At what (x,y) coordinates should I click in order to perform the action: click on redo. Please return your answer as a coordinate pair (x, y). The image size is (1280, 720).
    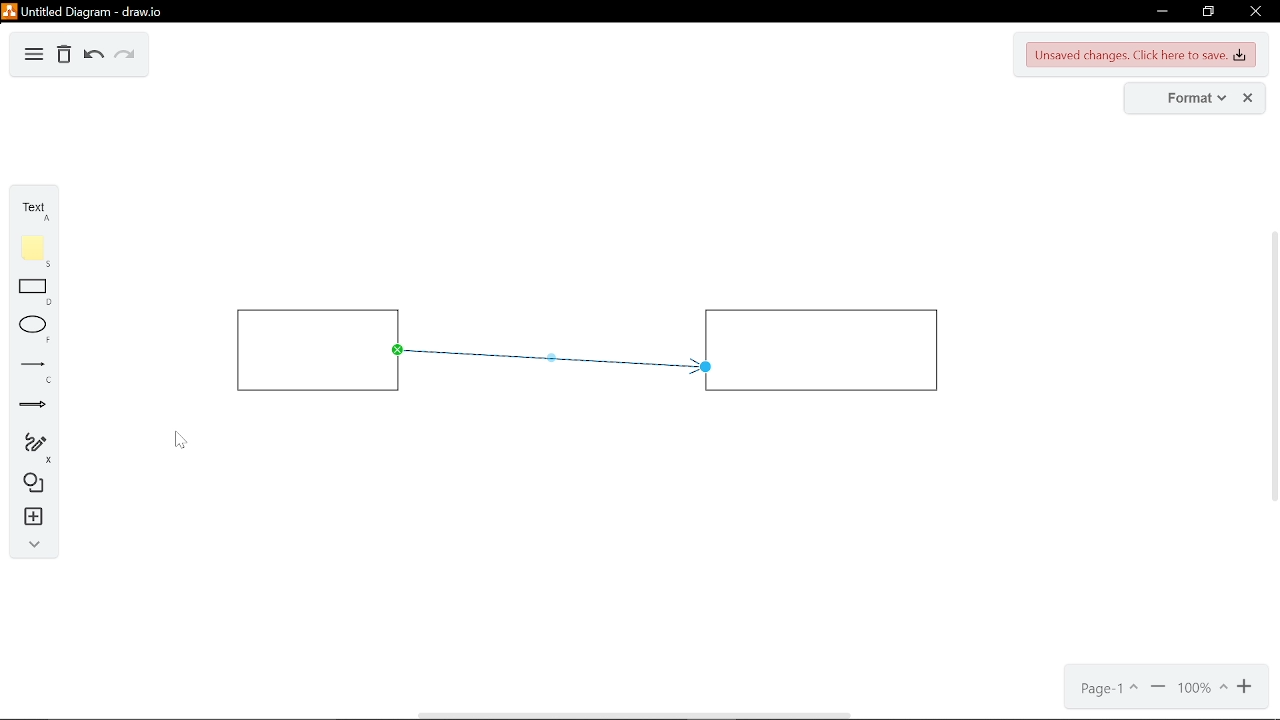
    Looking at the image, I should click on (125, 56).